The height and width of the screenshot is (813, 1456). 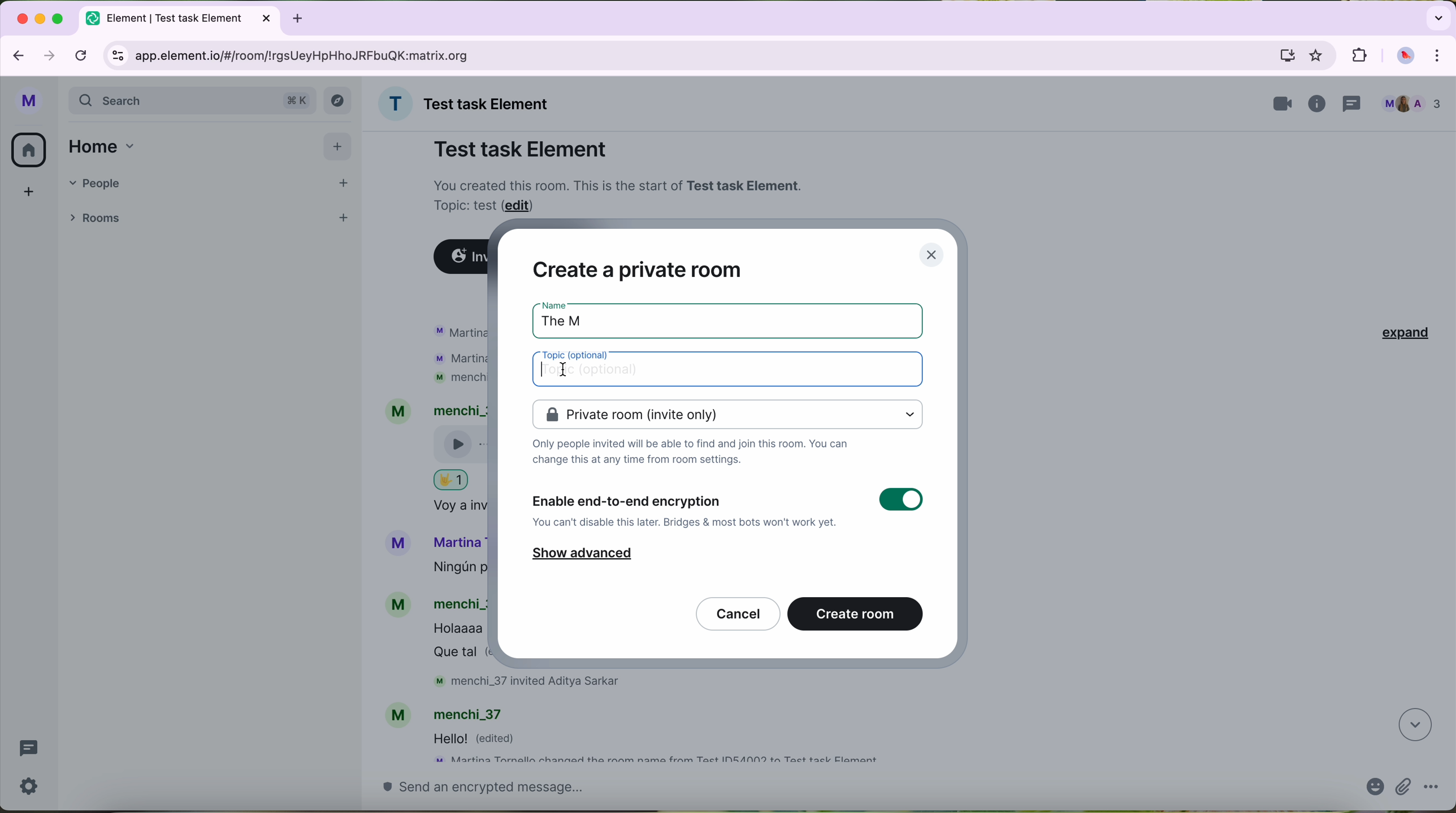 I want to click on navigate foward, so click(x=50, y=55).